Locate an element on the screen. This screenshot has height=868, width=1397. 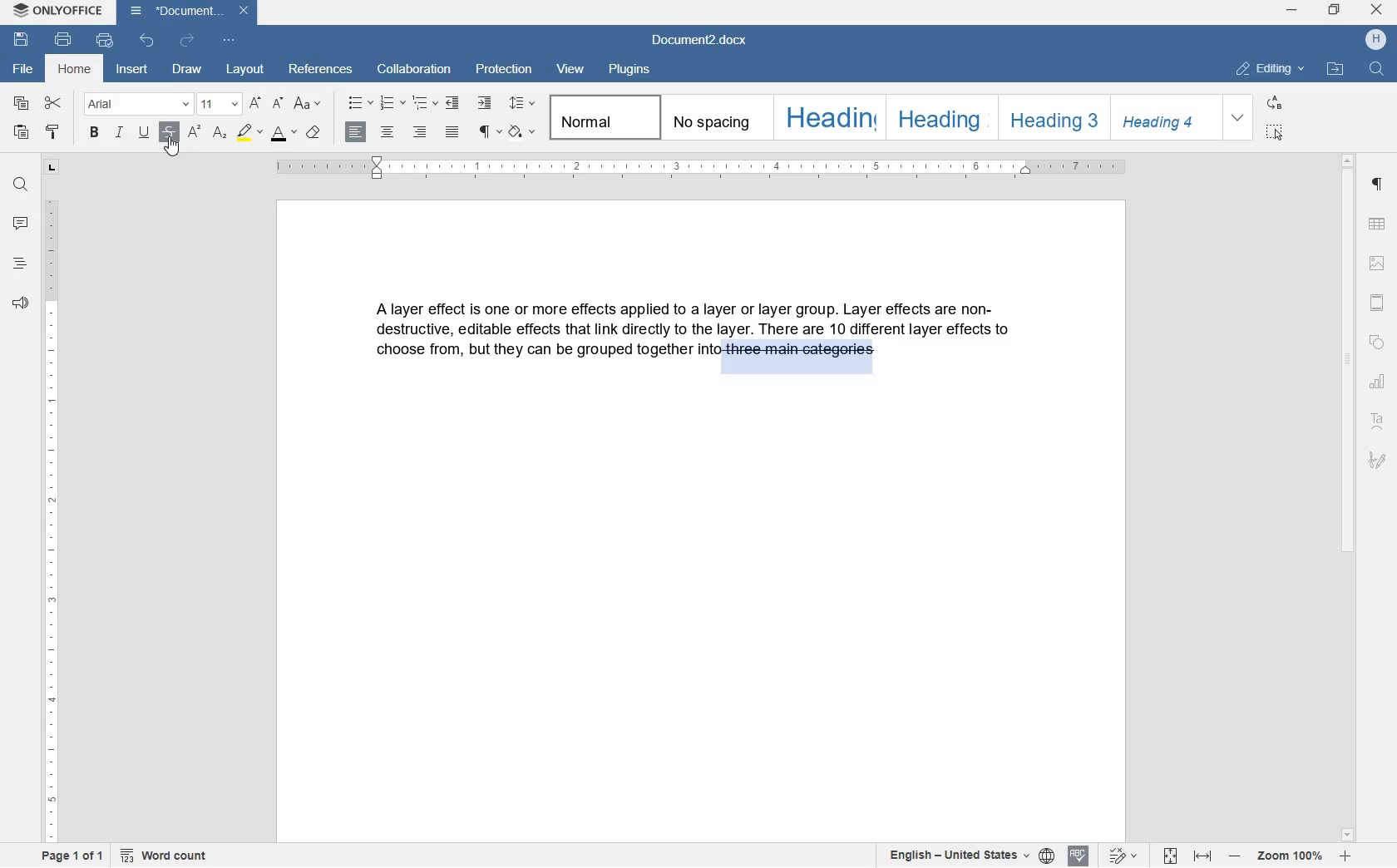
zoom in or out is located at coordinates (1289, 857).